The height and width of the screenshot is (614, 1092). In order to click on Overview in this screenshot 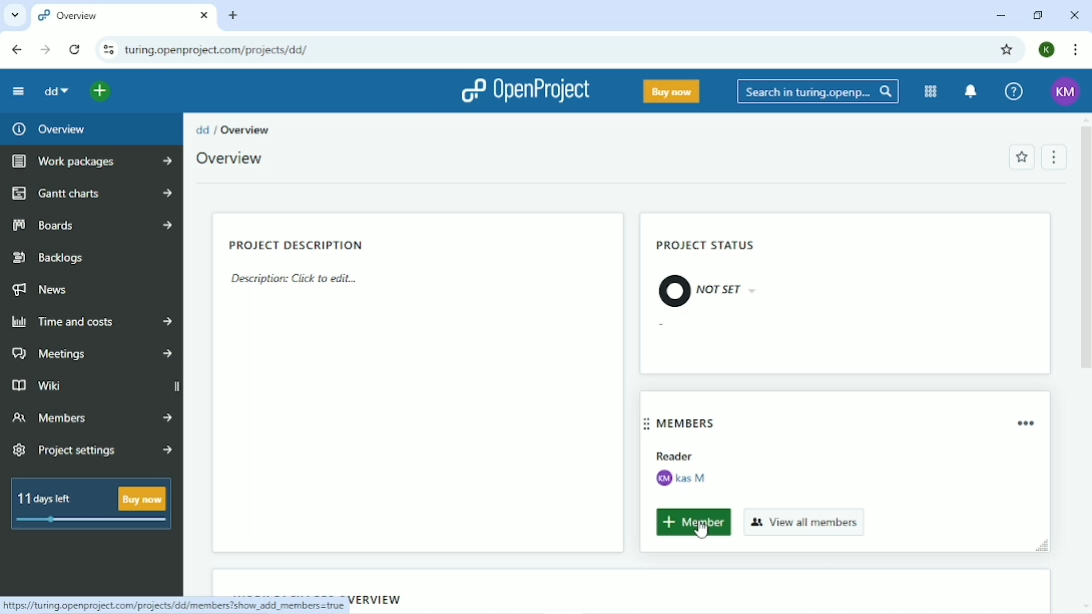, I will do `click(250, 128)`.